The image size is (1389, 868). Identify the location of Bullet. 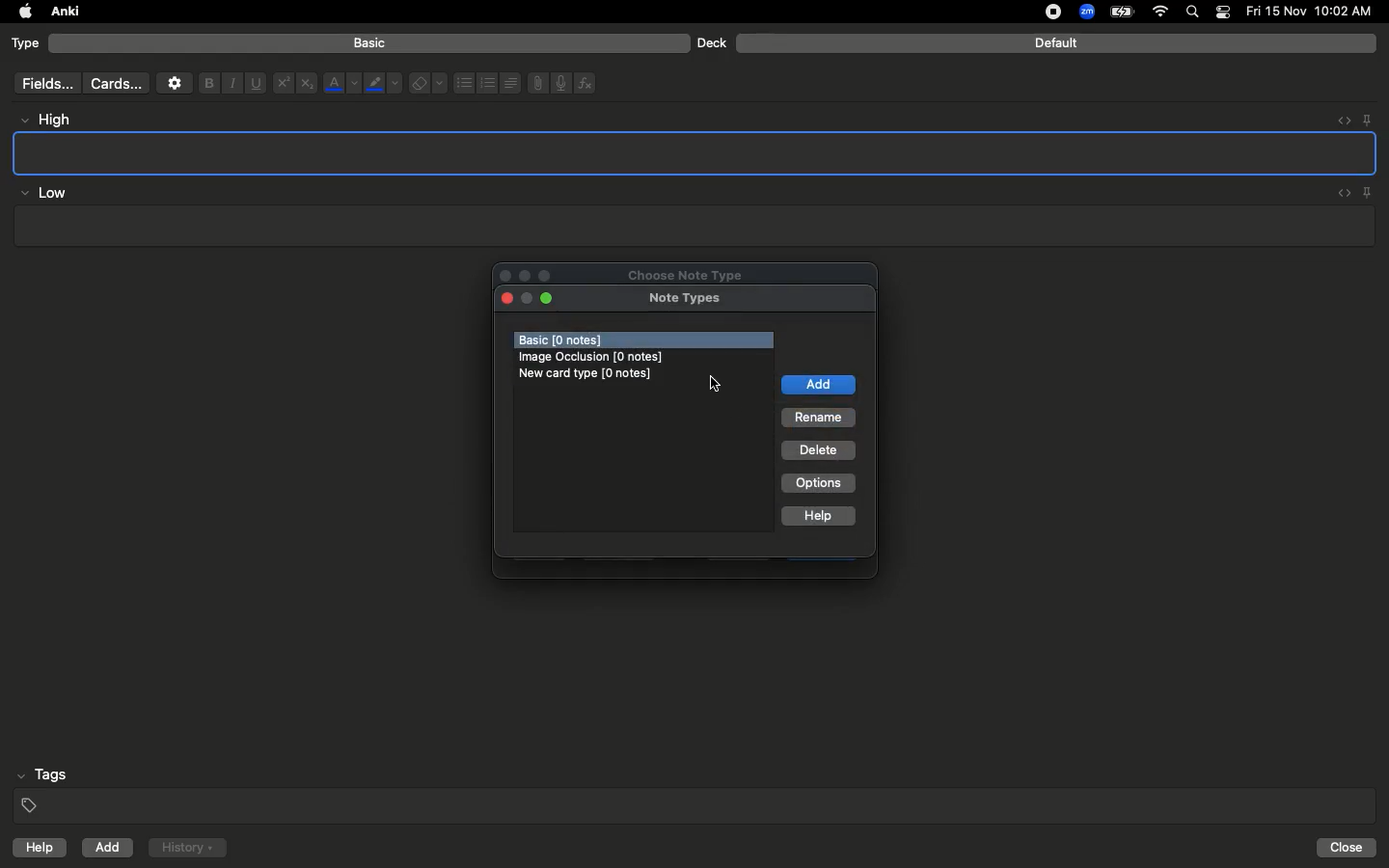
(463, 83).